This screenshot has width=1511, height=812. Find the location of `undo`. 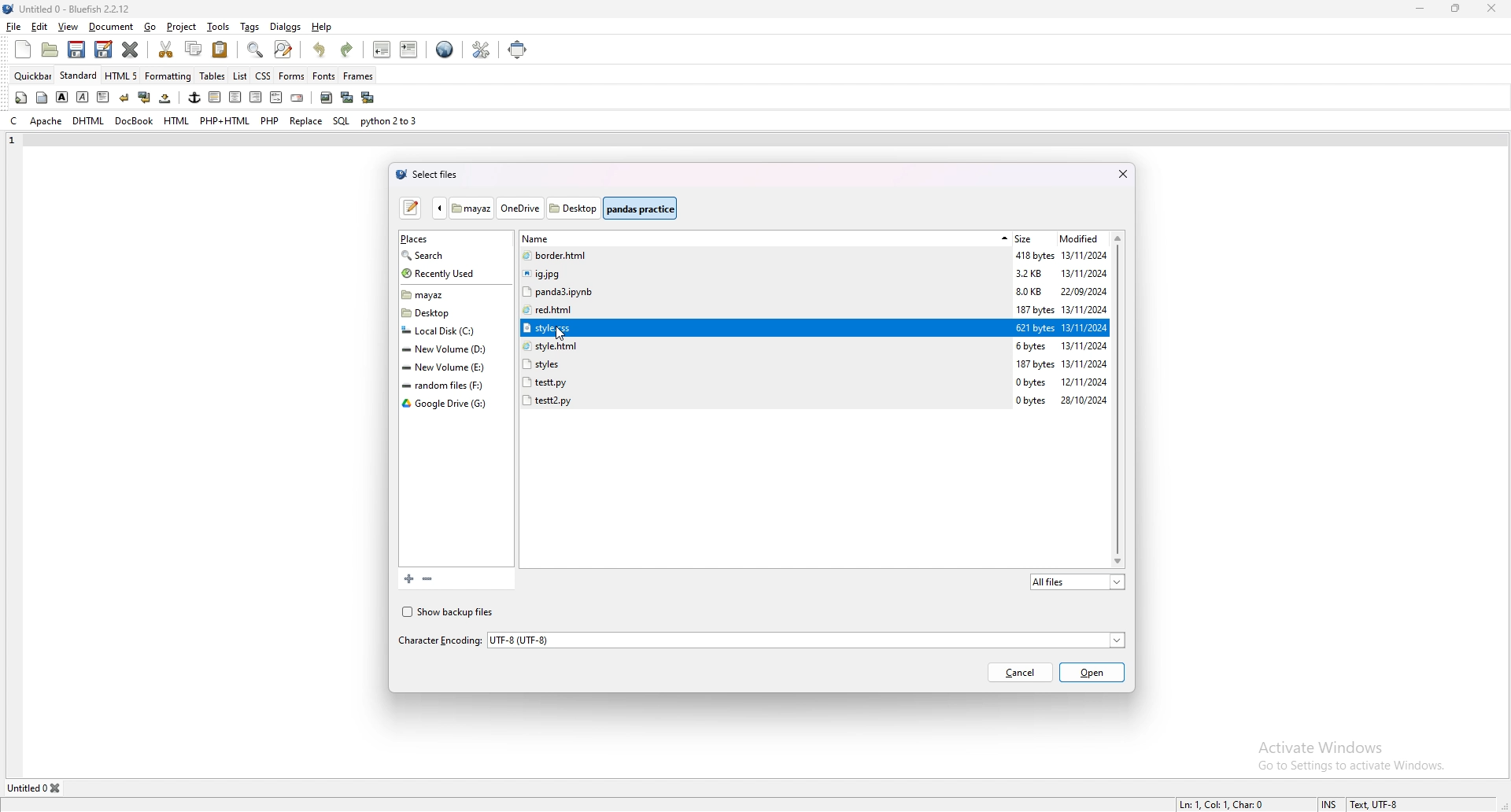

undo is located at coordinates (321, 50).